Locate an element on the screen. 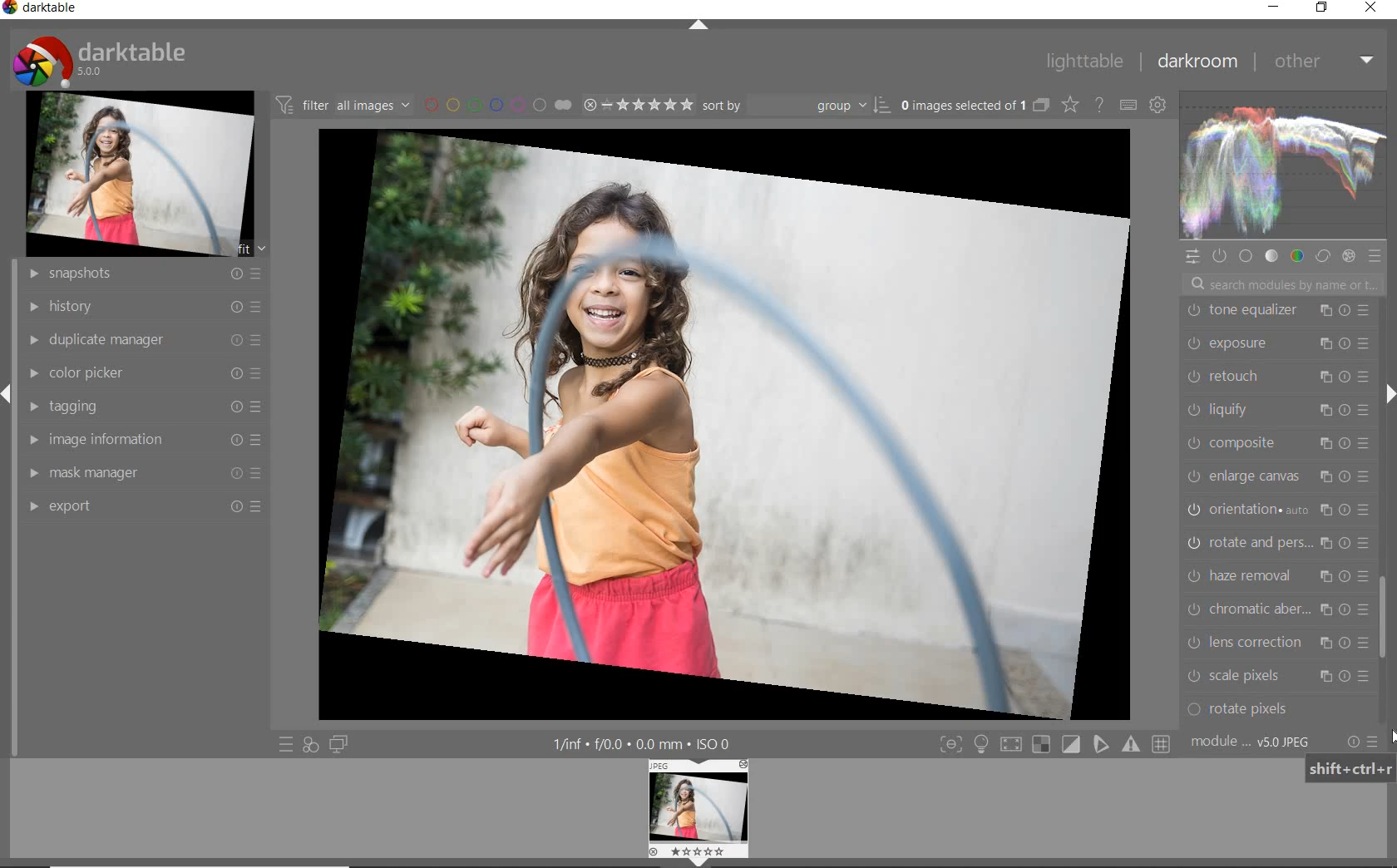  darkroom is located at coordinates (1198, 60).